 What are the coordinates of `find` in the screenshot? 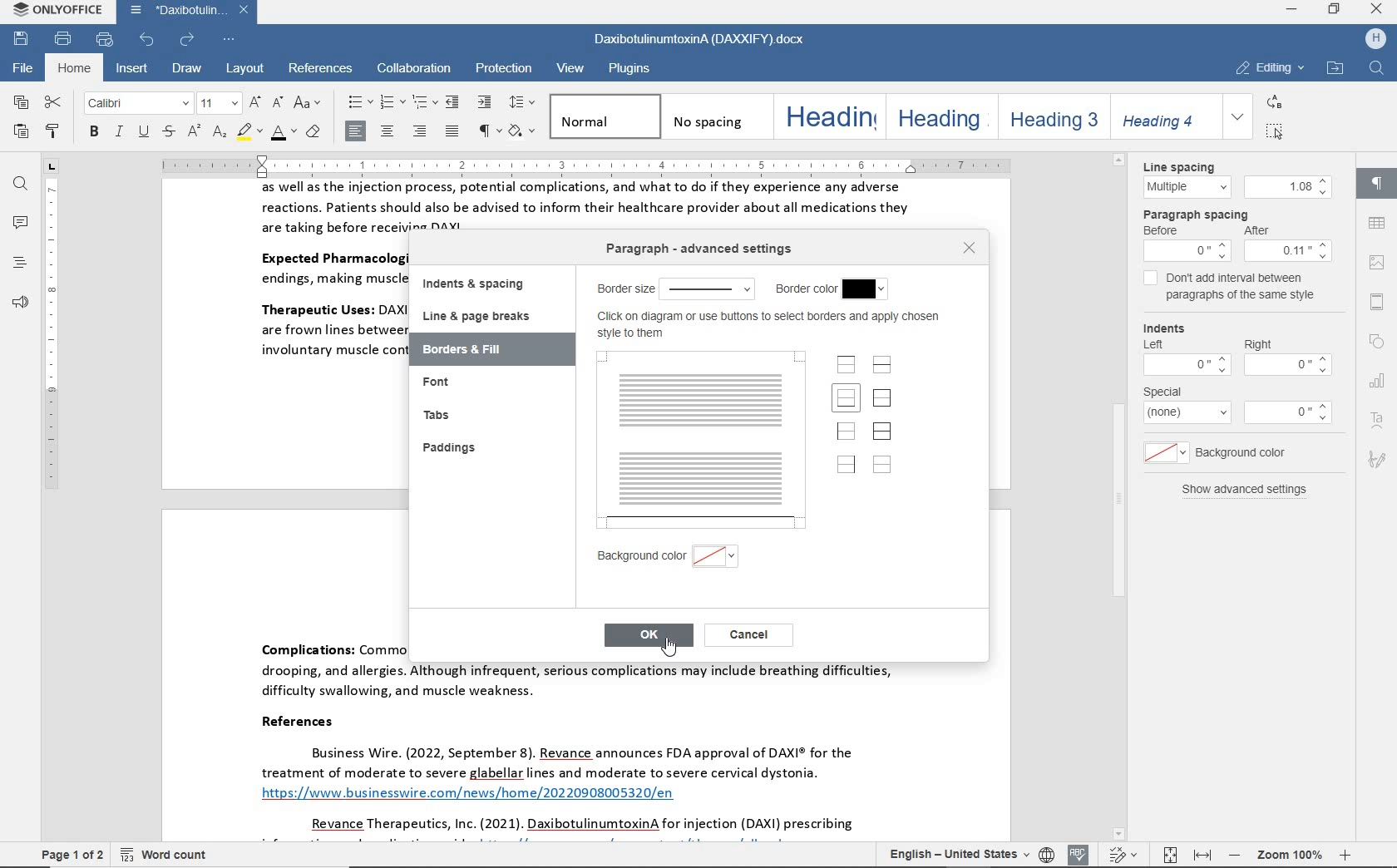 It's located at (21, 185).